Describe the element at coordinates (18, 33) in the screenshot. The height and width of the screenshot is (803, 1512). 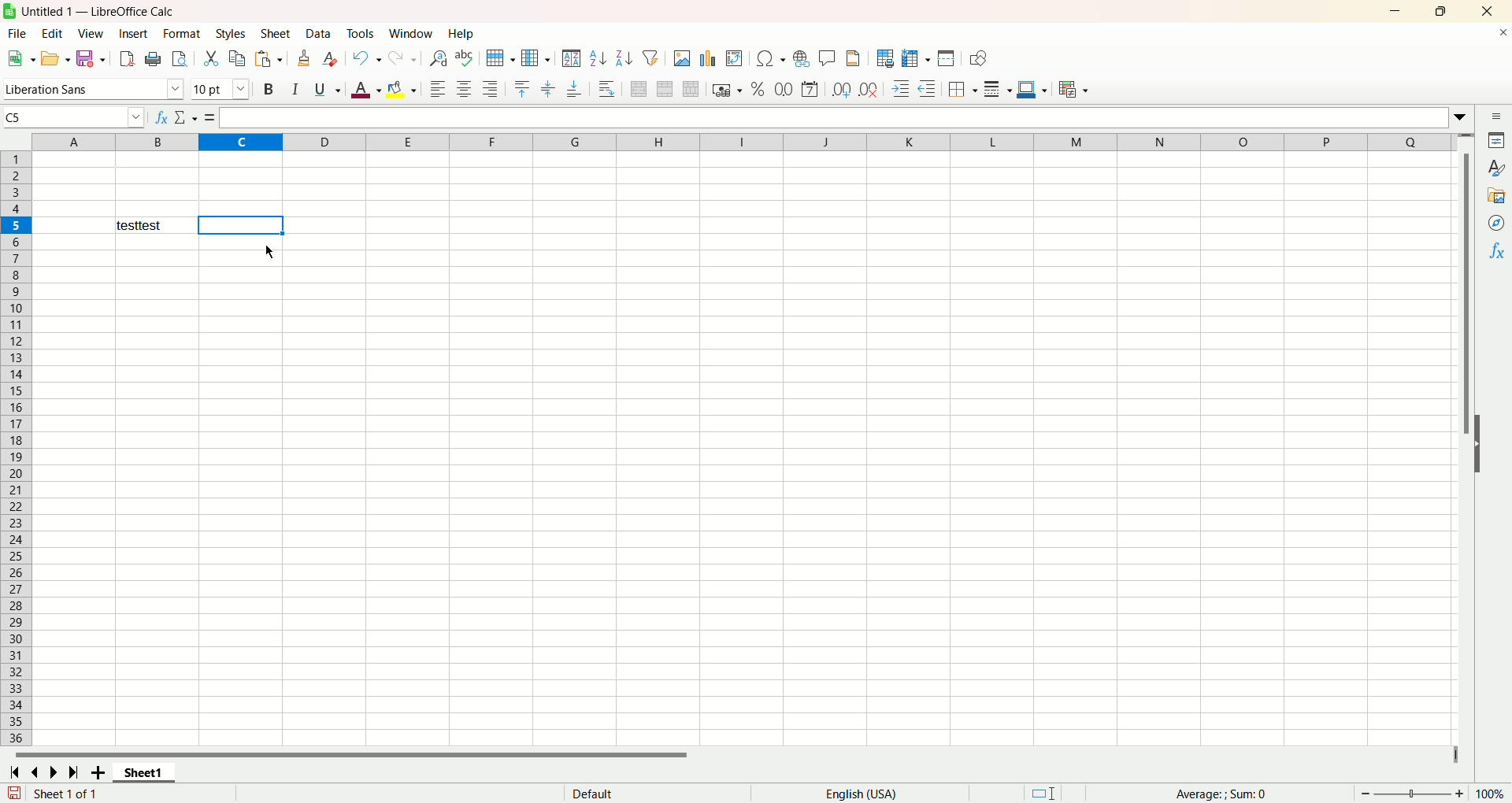
I see `file` at that location.